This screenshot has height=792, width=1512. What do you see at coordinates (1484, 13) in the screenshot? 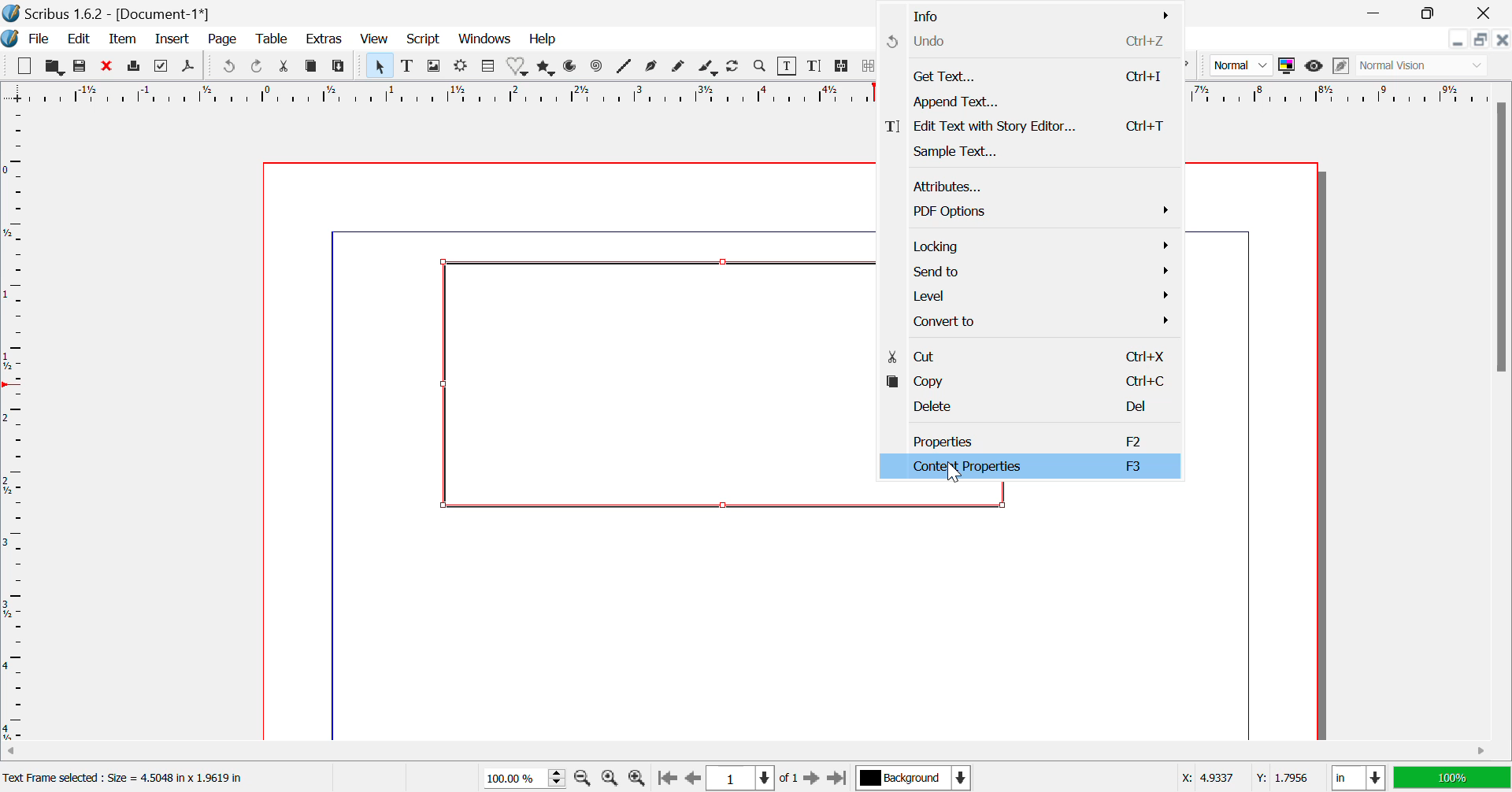
I see `Close` at bounding box center [1484, 13].